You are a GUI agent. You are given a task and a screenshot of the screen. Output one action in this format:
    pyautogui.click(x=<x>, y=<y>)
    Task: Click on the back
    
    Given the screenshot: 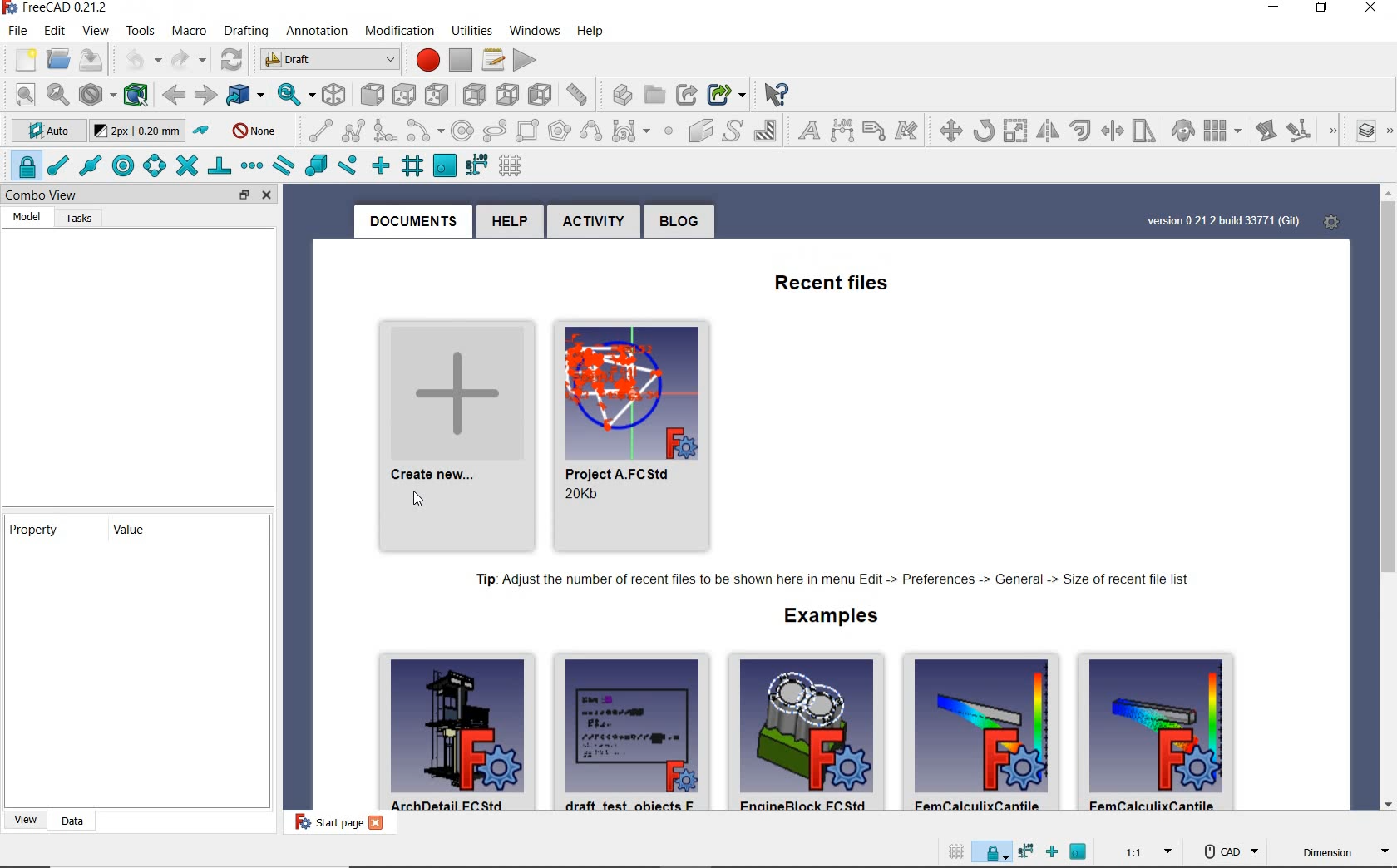 What is the action you would take?
    pyautogui.click(x=175, y=92)
    